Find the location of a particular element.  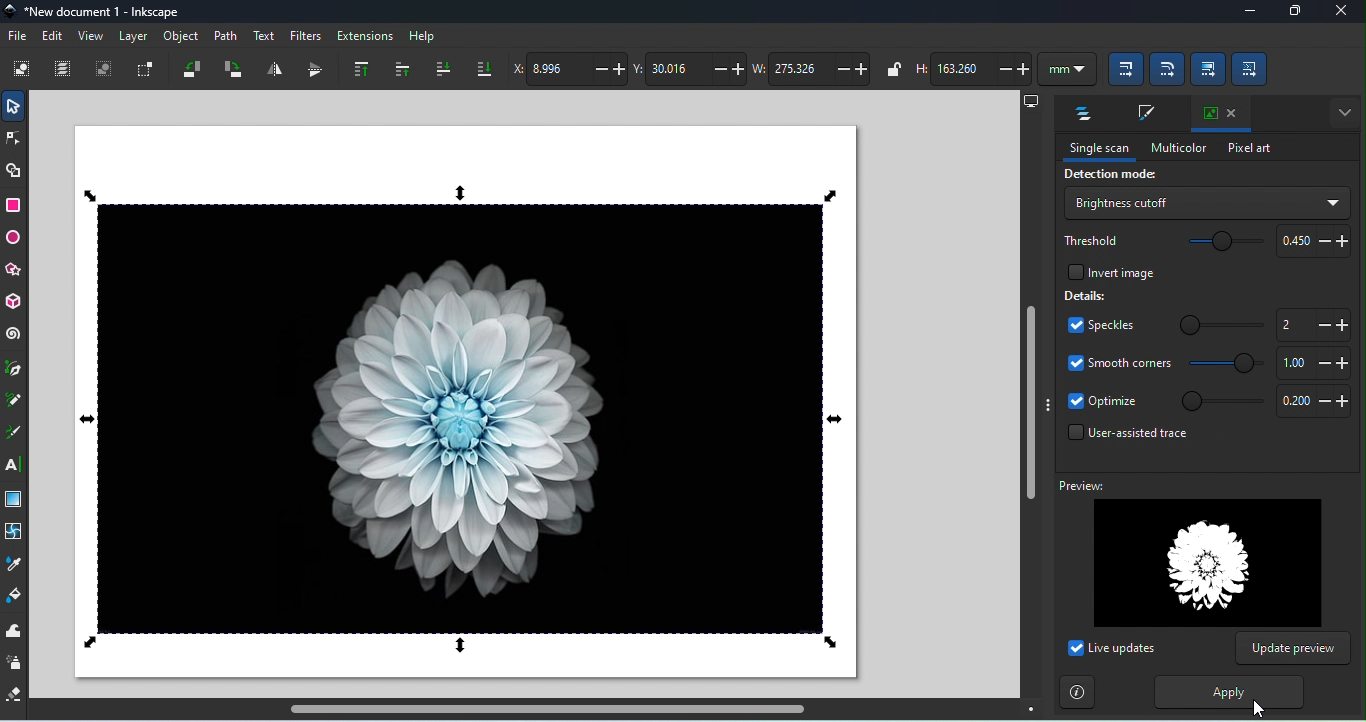

Calligraphy tool is located at coordinates (13, 435).